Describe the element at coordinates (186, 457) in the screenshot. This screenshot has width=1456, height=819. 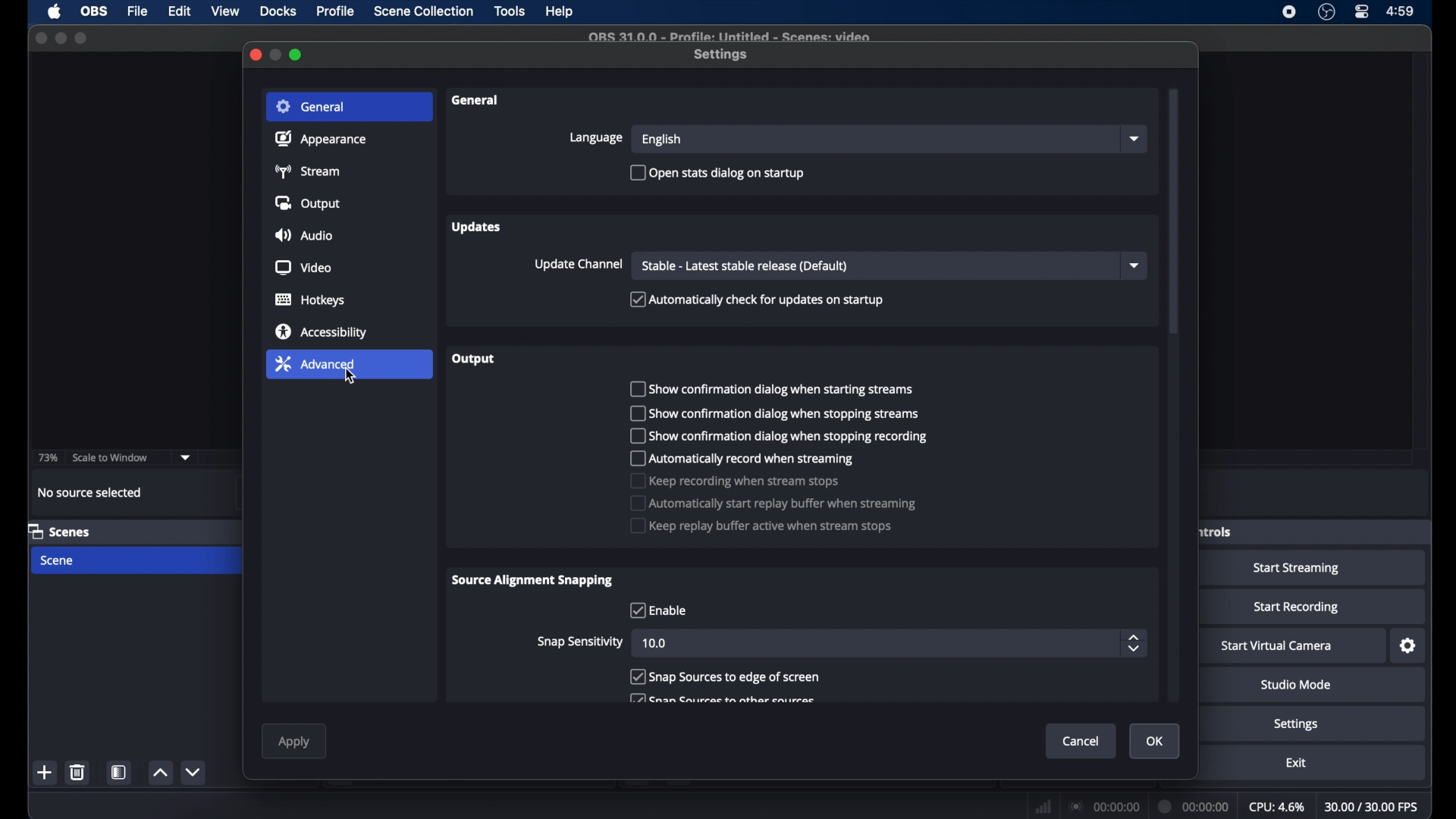
I see `dropdown` at that location.